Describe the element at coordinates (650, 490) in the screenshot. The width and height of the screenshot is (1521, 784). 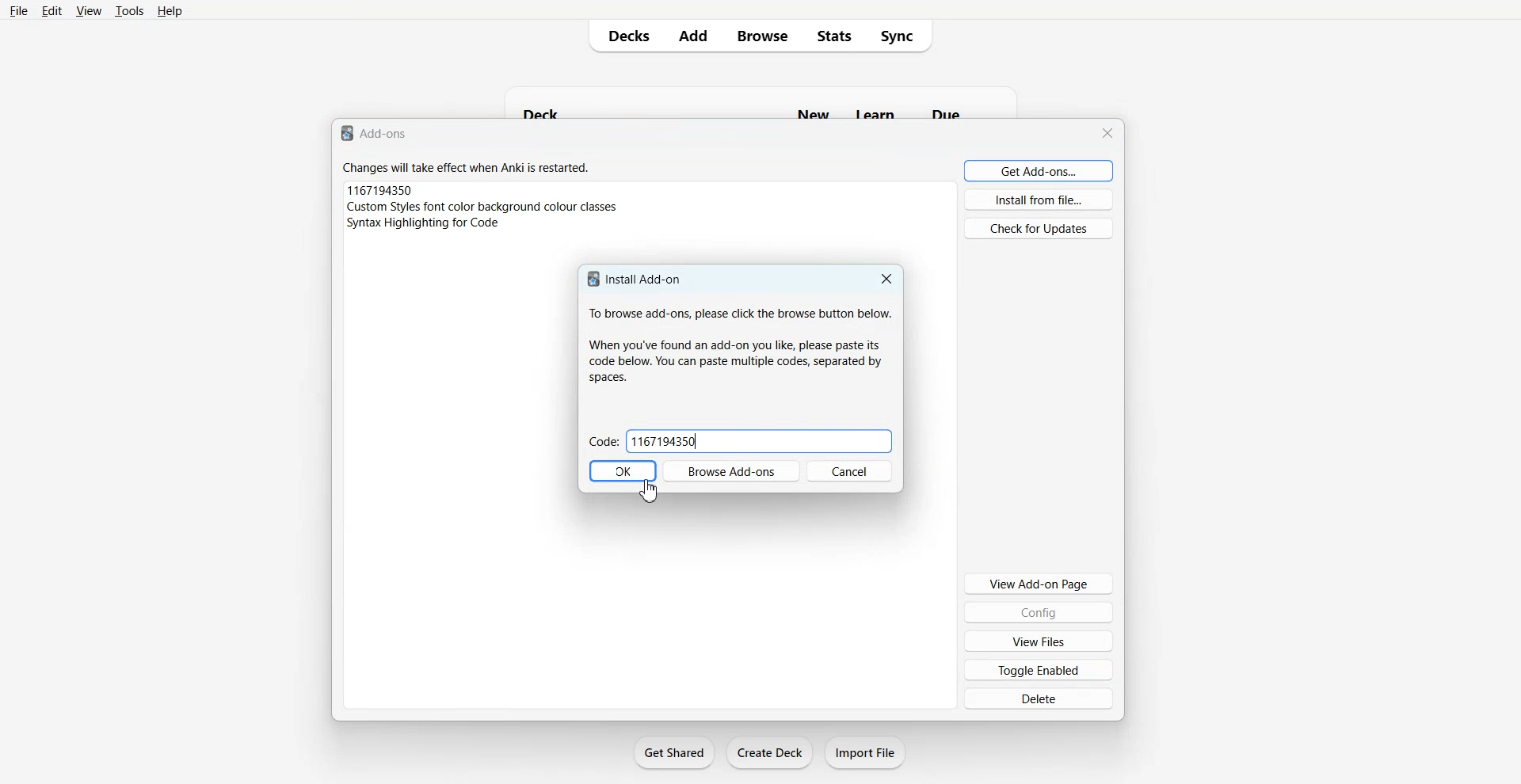
I see `Cursor` at that location.